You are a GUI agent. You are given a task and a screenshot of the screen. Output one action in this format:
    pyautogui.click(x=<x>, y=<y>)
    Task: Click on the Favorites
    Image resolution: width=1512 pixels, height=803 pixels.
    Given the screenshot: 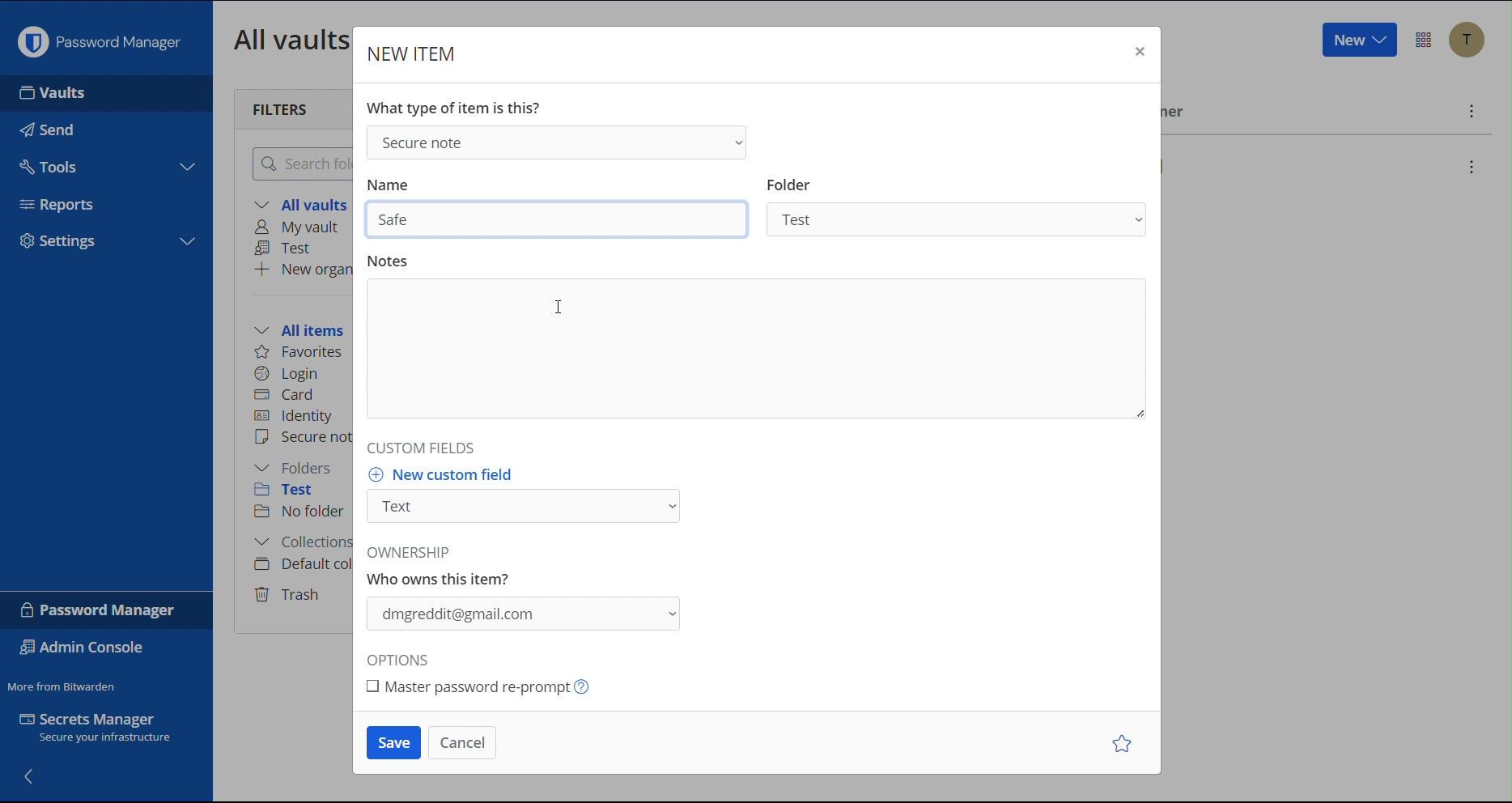 What is the action you would take?
    pyautogui.click(x=300, y=352)
    